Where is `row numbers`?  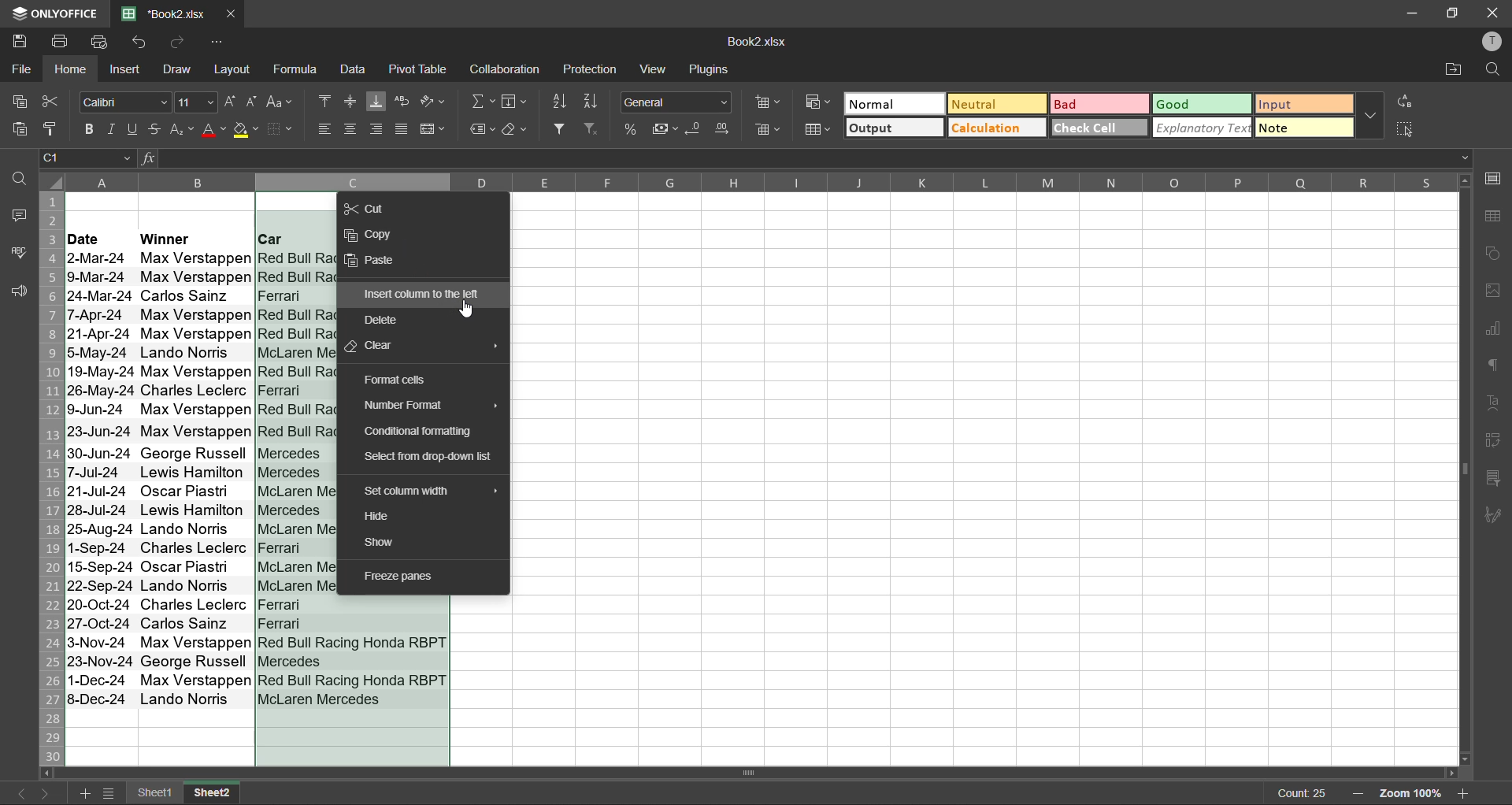 row numbers is located at coordinates (52, 478).